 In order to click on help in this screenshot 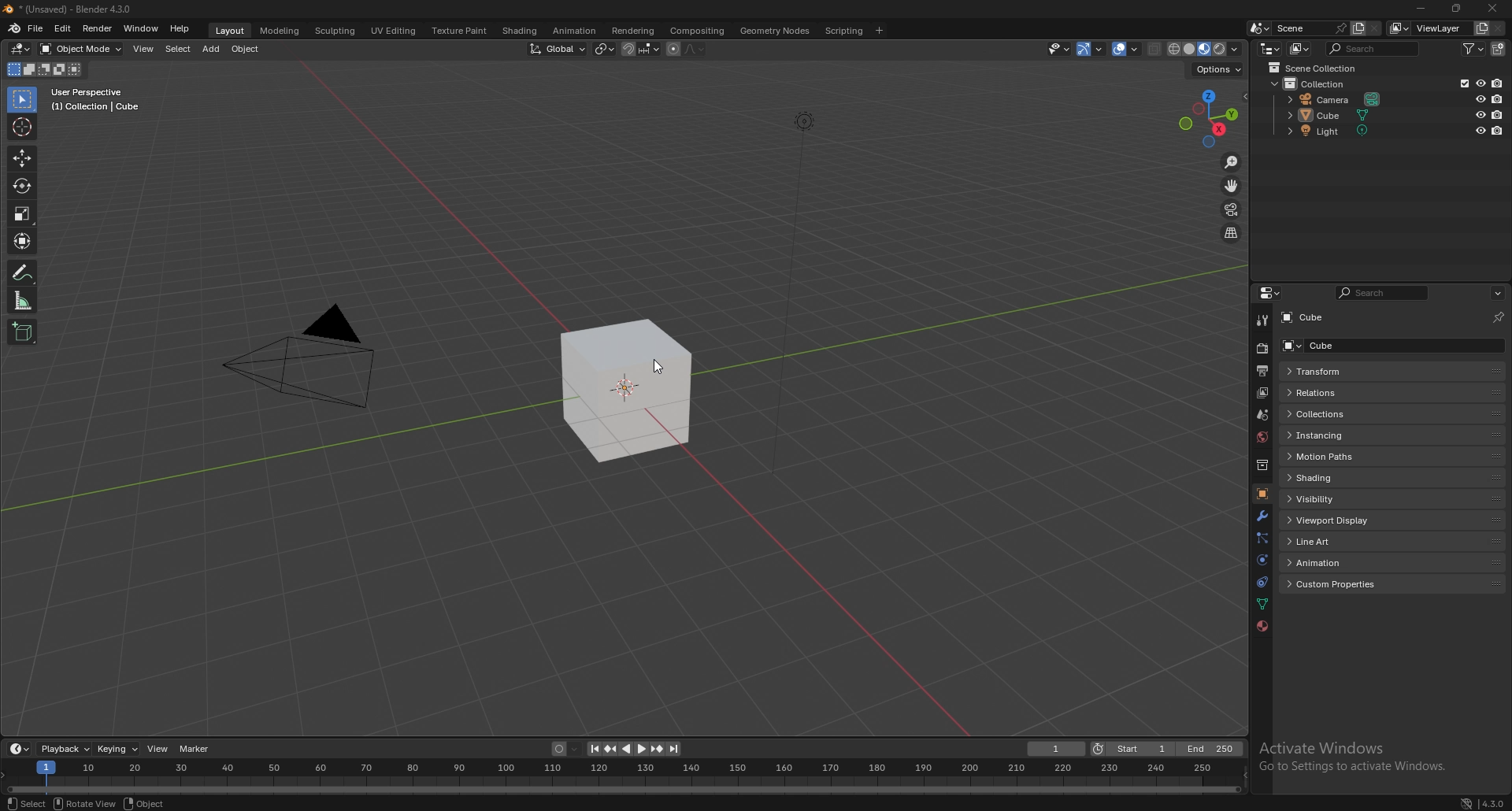, I will do `click(180, 28)`.